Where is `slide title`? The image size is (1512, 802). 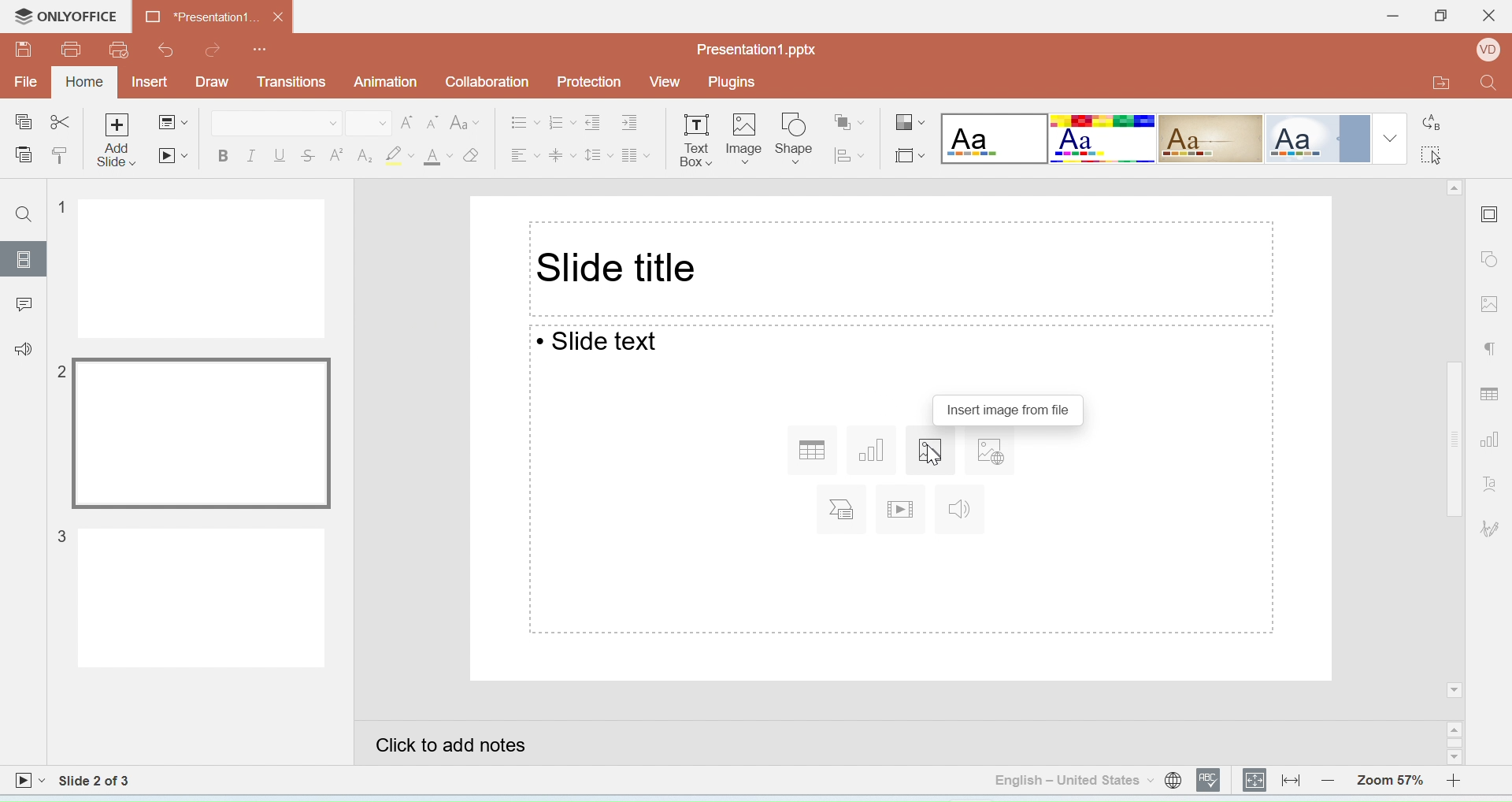 slide title is located at coordinates (621, 269).